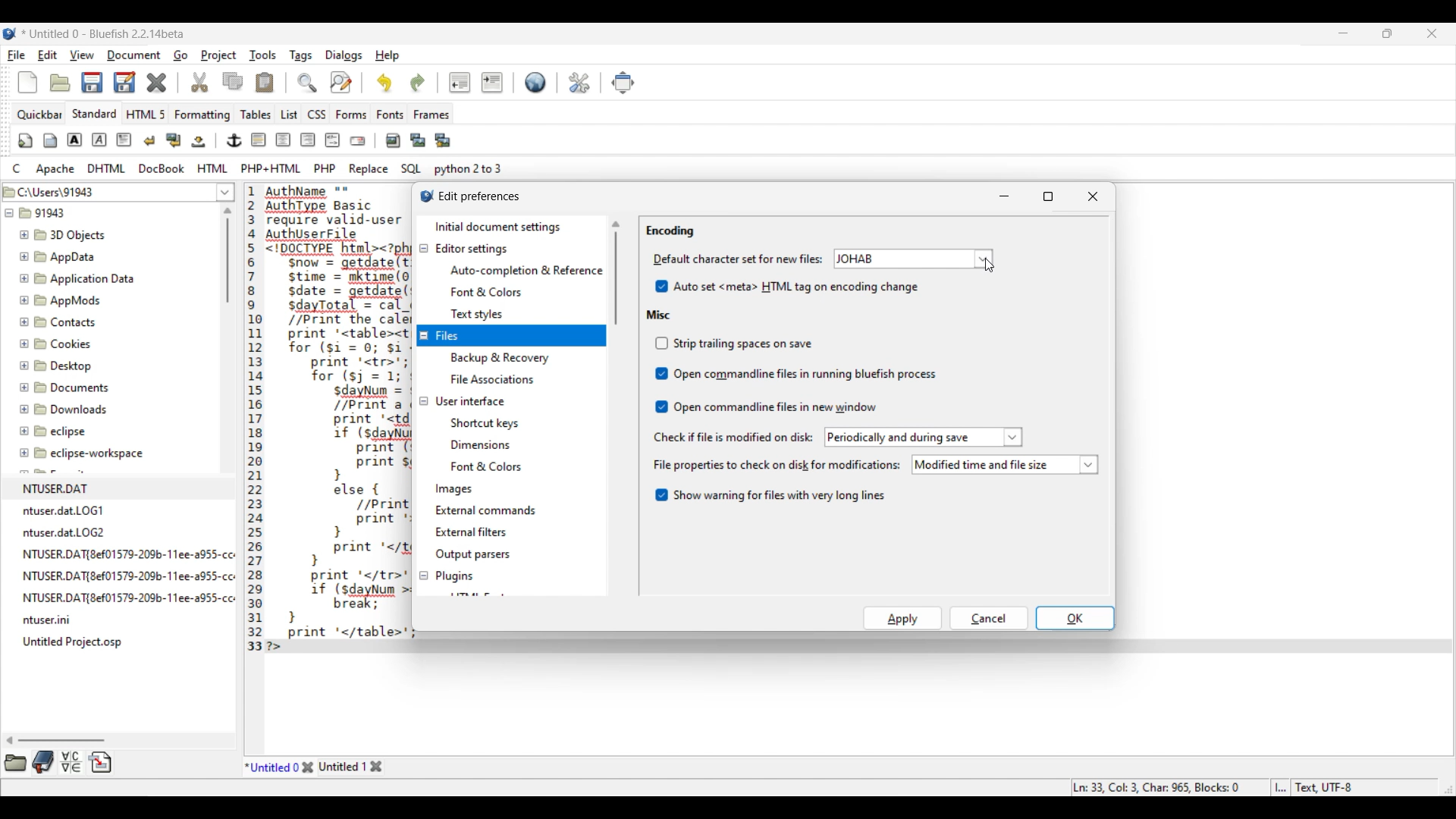 This screenshot has width=1456, height=819. What do you see at coordinates (256, 115) in the screenshot?
I see `Tables menu` at bounding box center [256, 115].